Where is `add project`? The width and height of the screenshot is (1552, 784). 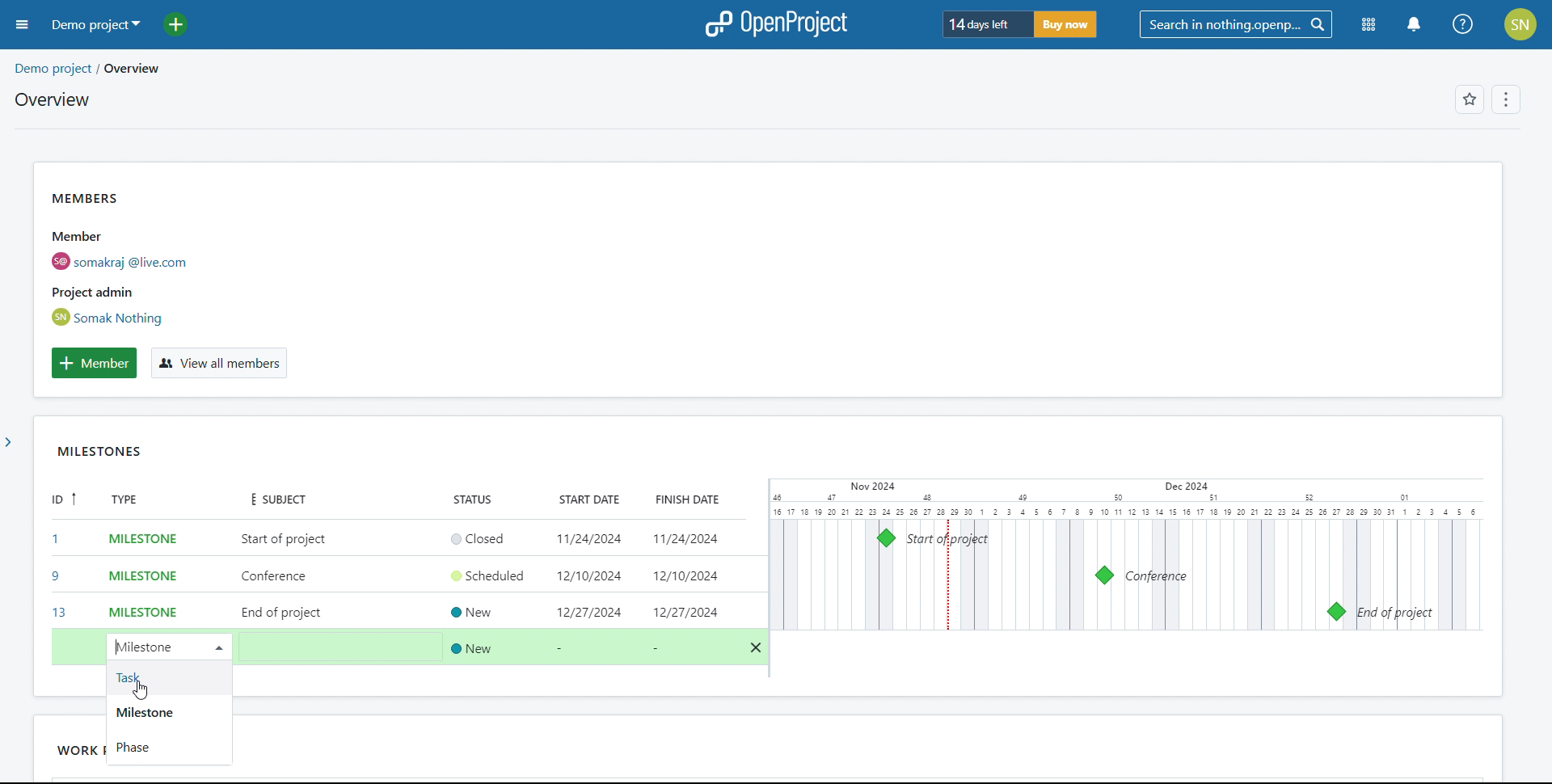
add project is located at coordinates (185, 24).